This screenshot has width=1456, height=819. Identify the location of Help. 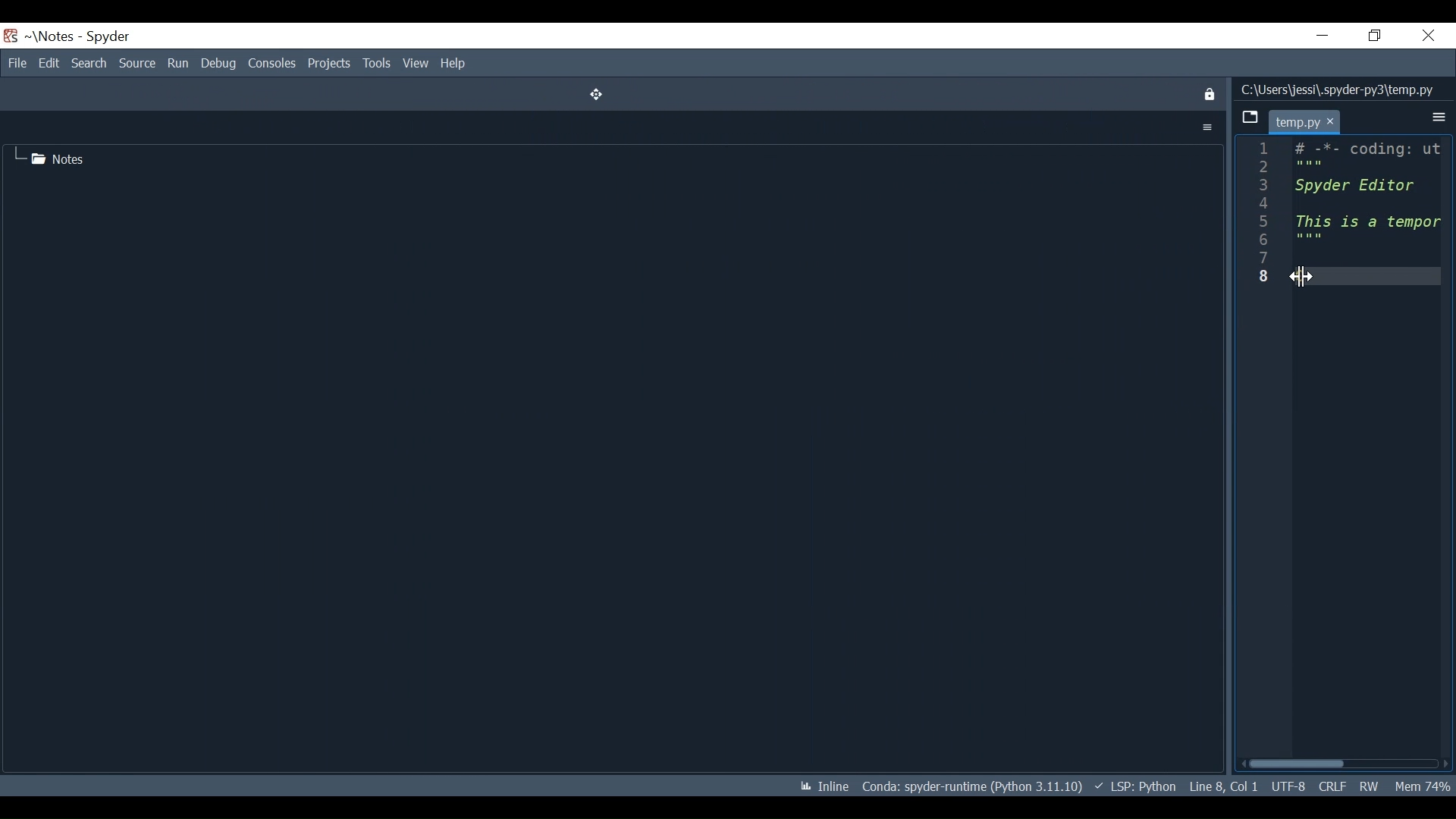
(453, 64).